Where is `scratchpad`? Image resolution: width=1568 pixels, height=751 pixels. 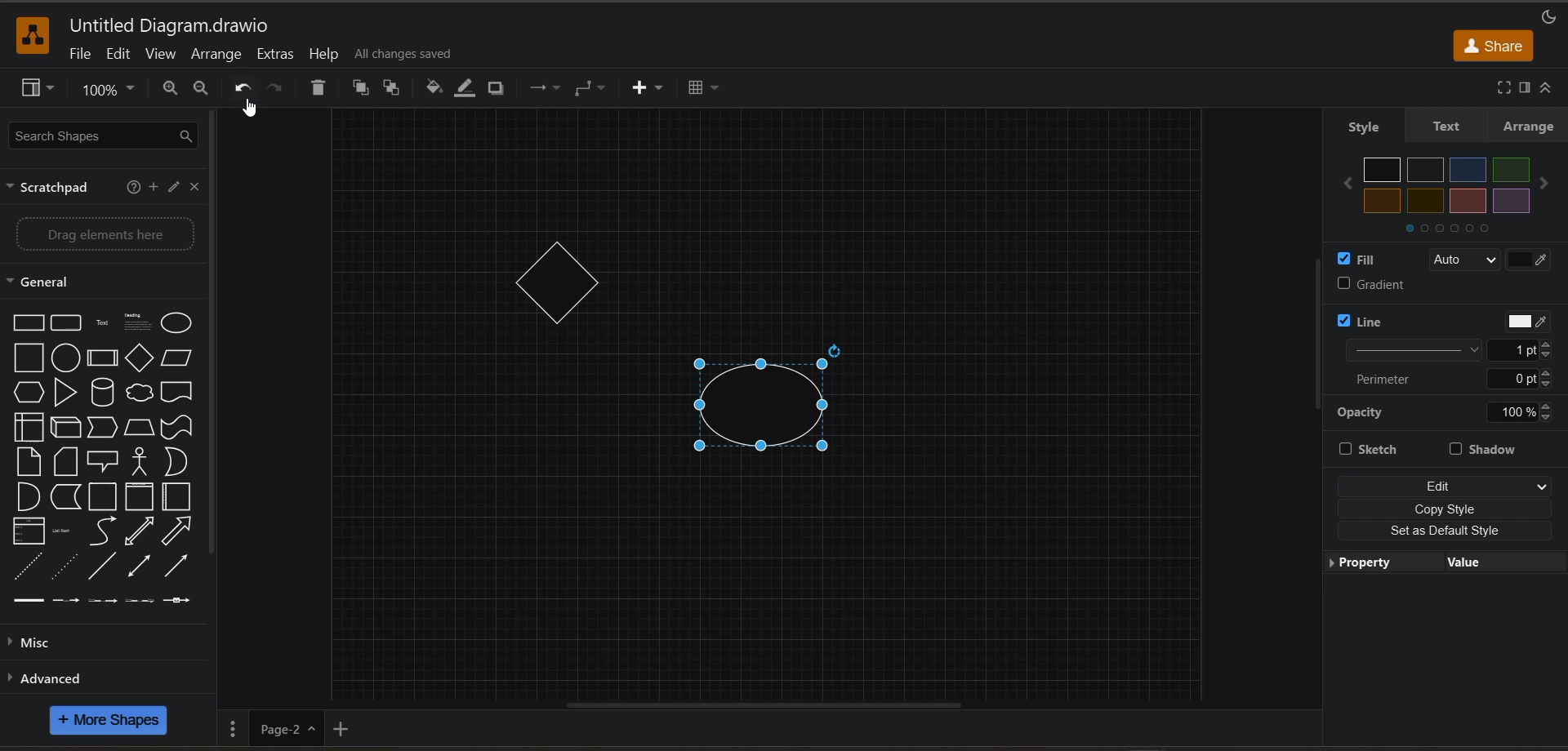 scratchpad is located at coordinates (47, 188).